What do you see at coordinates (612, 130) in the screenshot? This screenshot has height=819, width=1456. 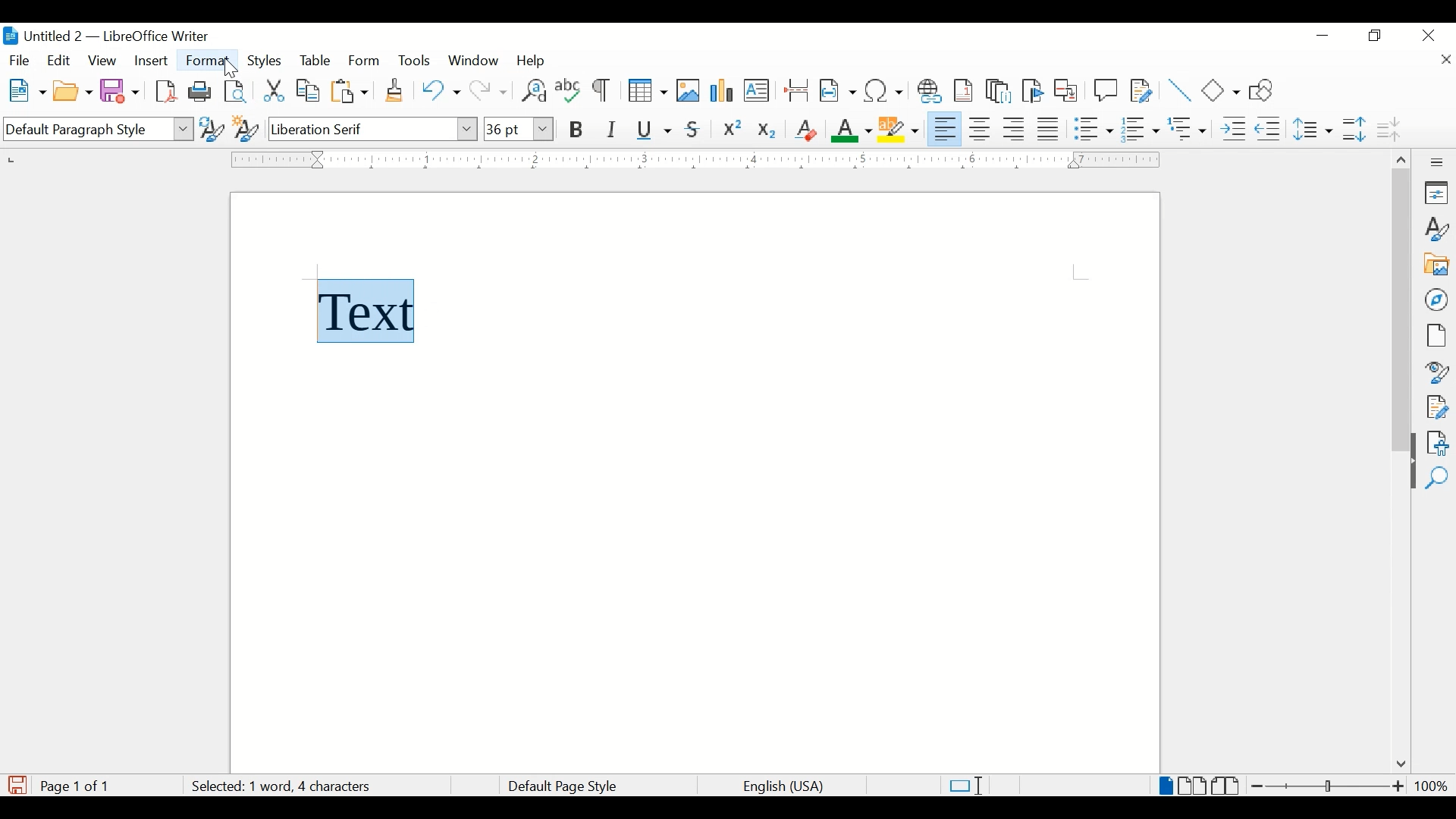 I see `italic` at bounding box center [612, 130].